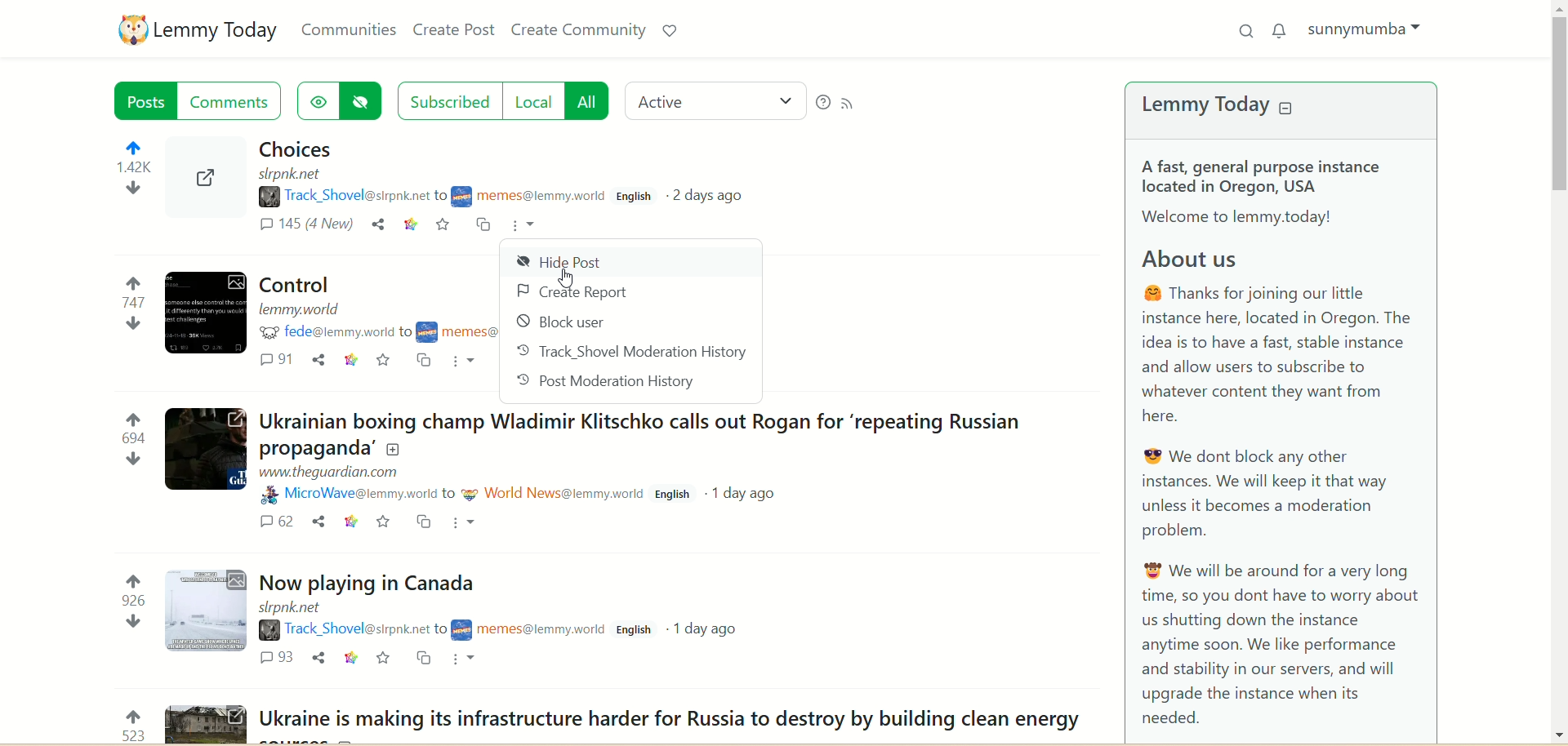  I want to click on Post on "Now playing in Canada", so click(372, 583).